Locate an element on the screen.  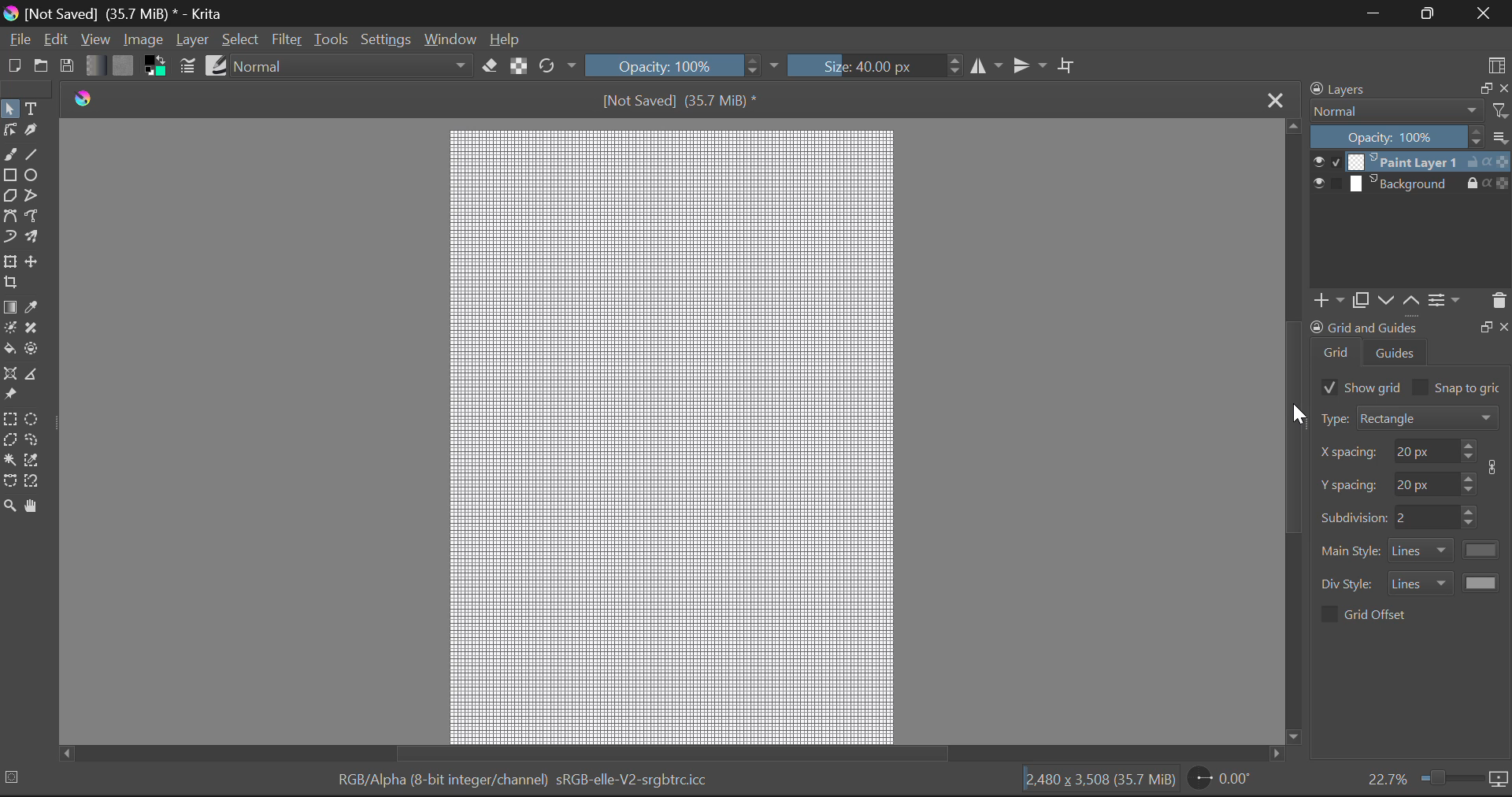
Assistant Tool is located at coordinates (11, 375).